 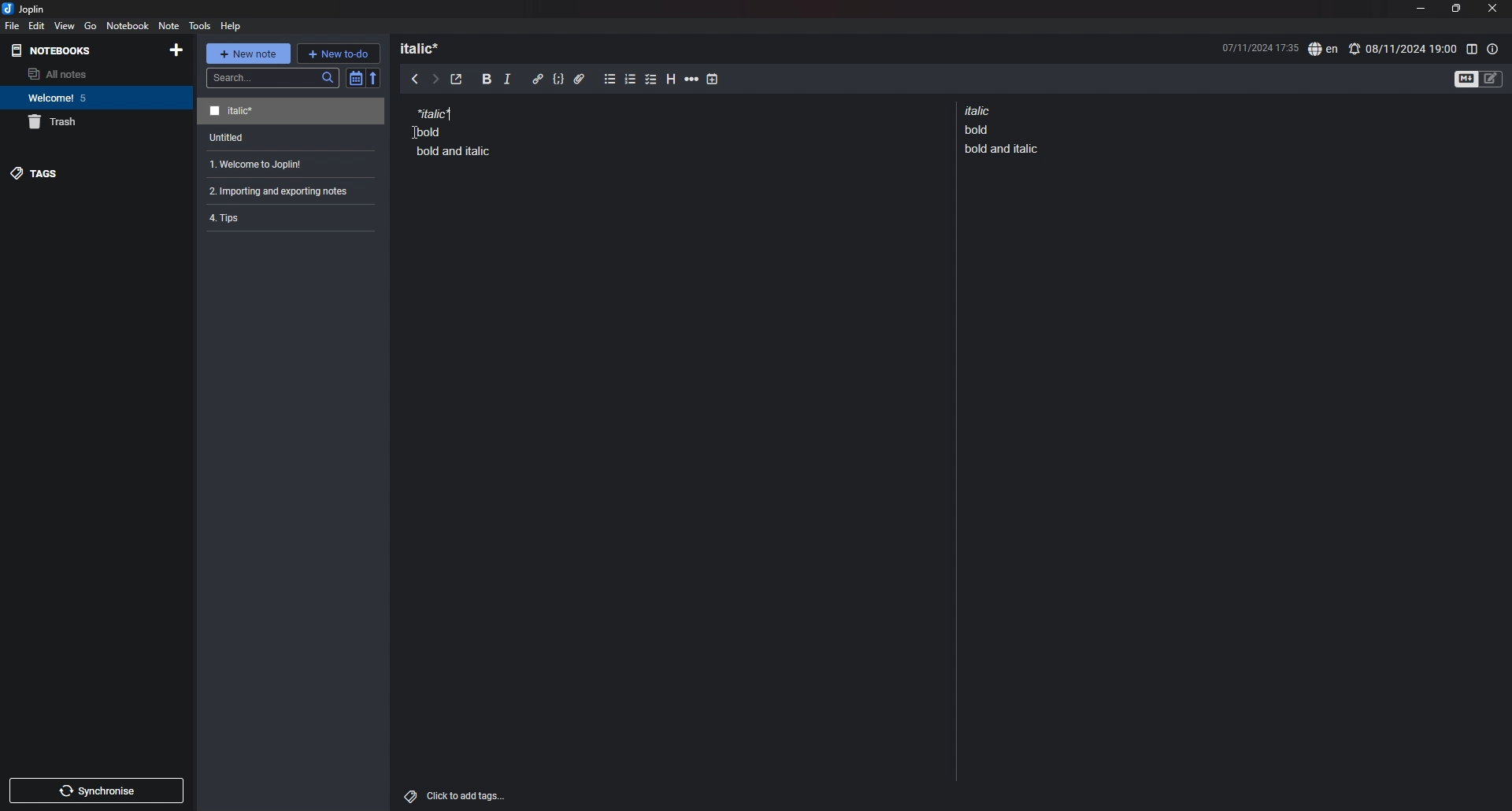 What do you see at coordinates (293, 138) in the screenshot?
I see `note` at bounding box center [293, 138].